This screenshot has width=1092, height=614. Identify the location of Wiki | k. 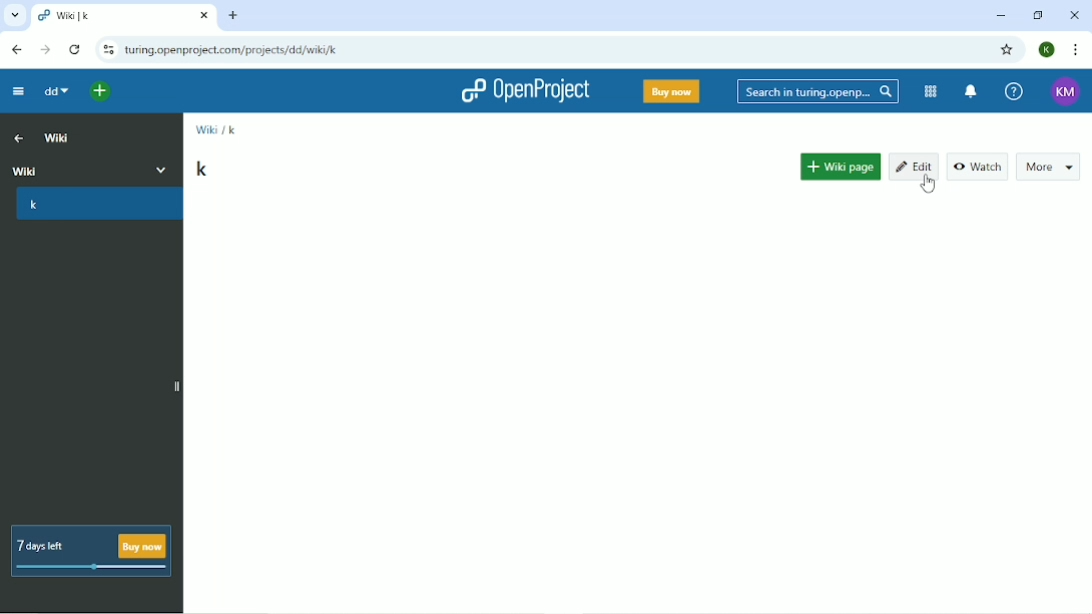
(103, 17).